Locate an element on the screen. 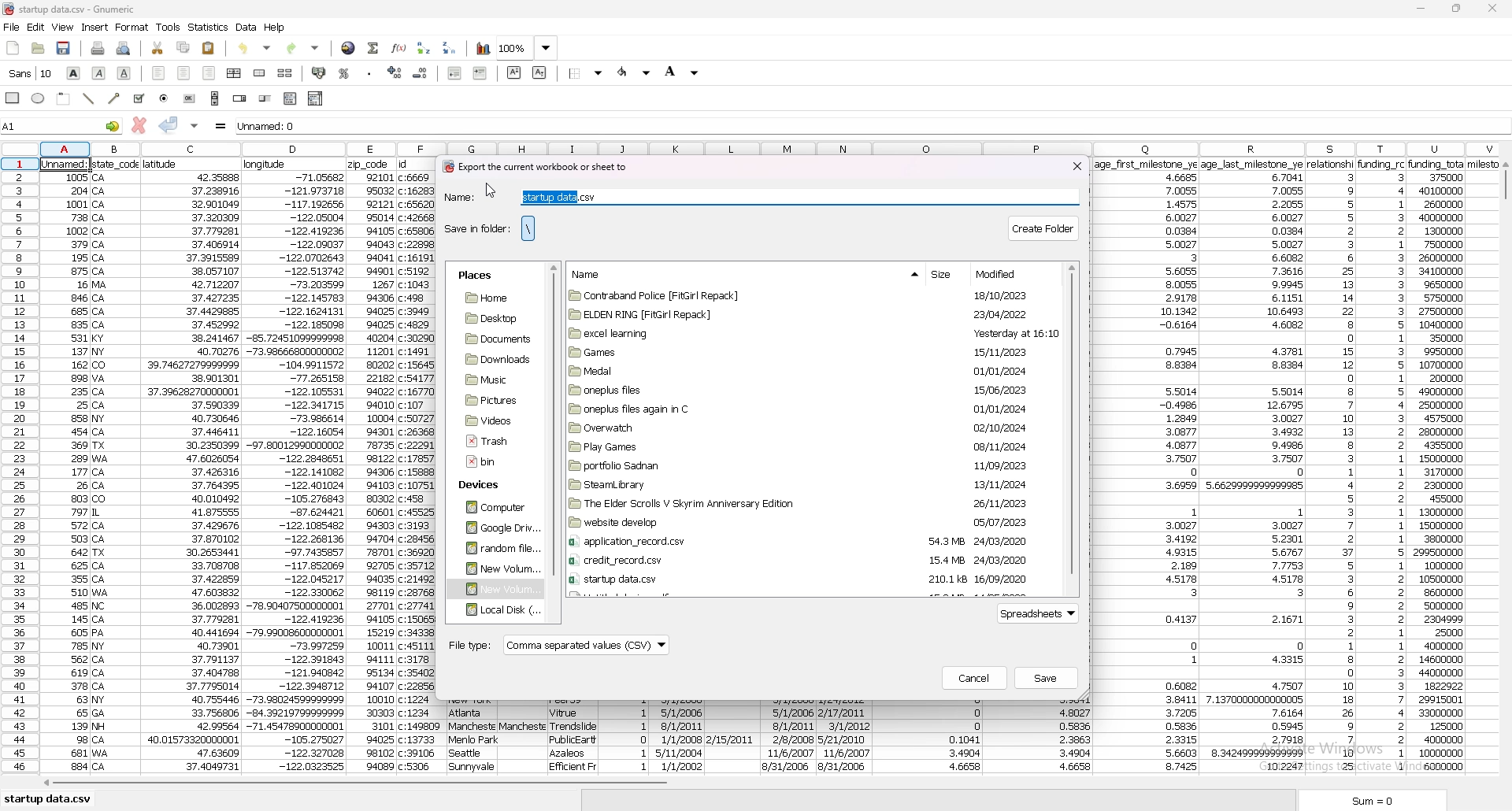 The image size is (1512, 811). data is located at coordinates (191, 466).